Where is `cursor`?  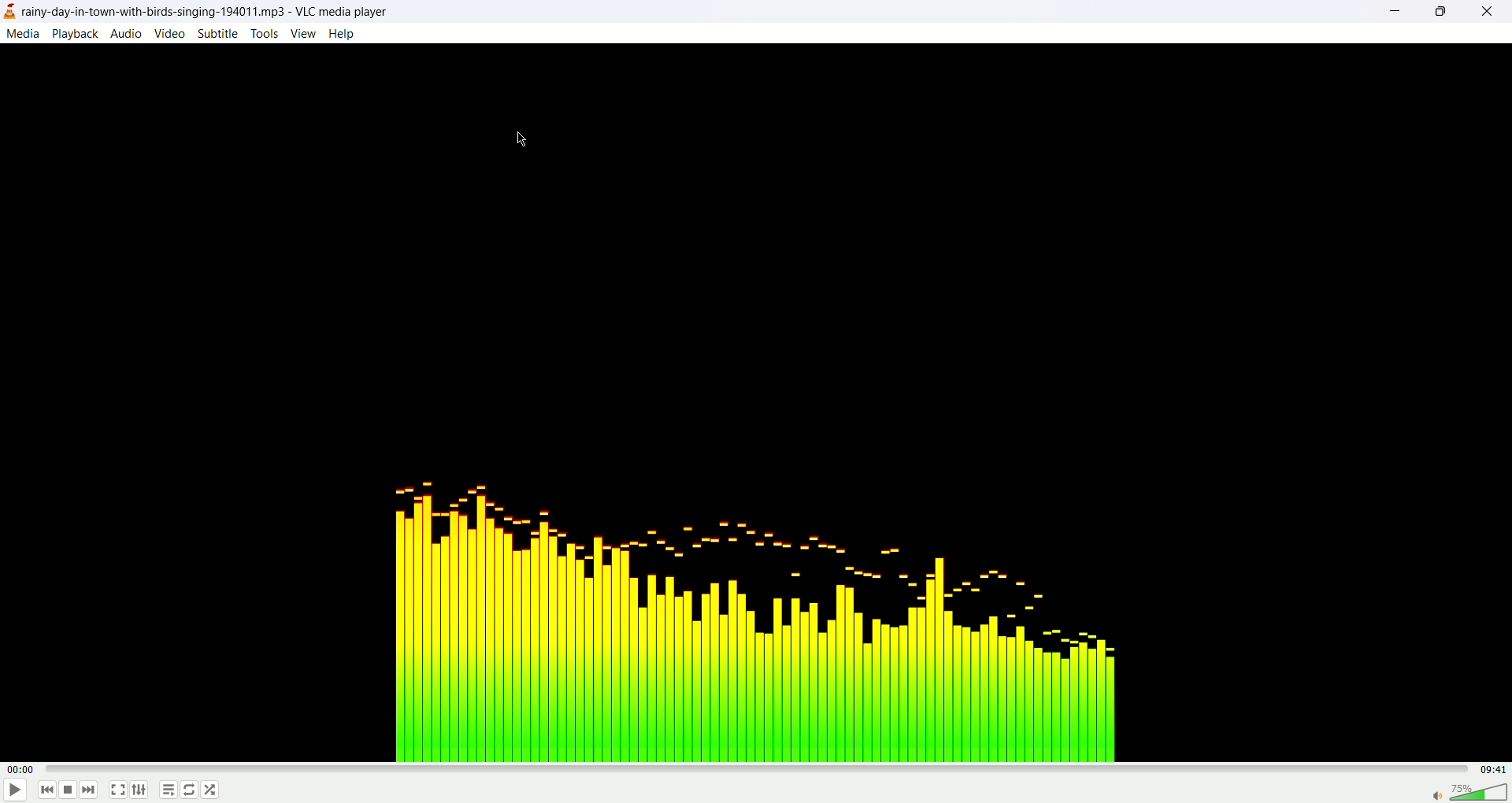 cursor is located at coordinates (522, 141).